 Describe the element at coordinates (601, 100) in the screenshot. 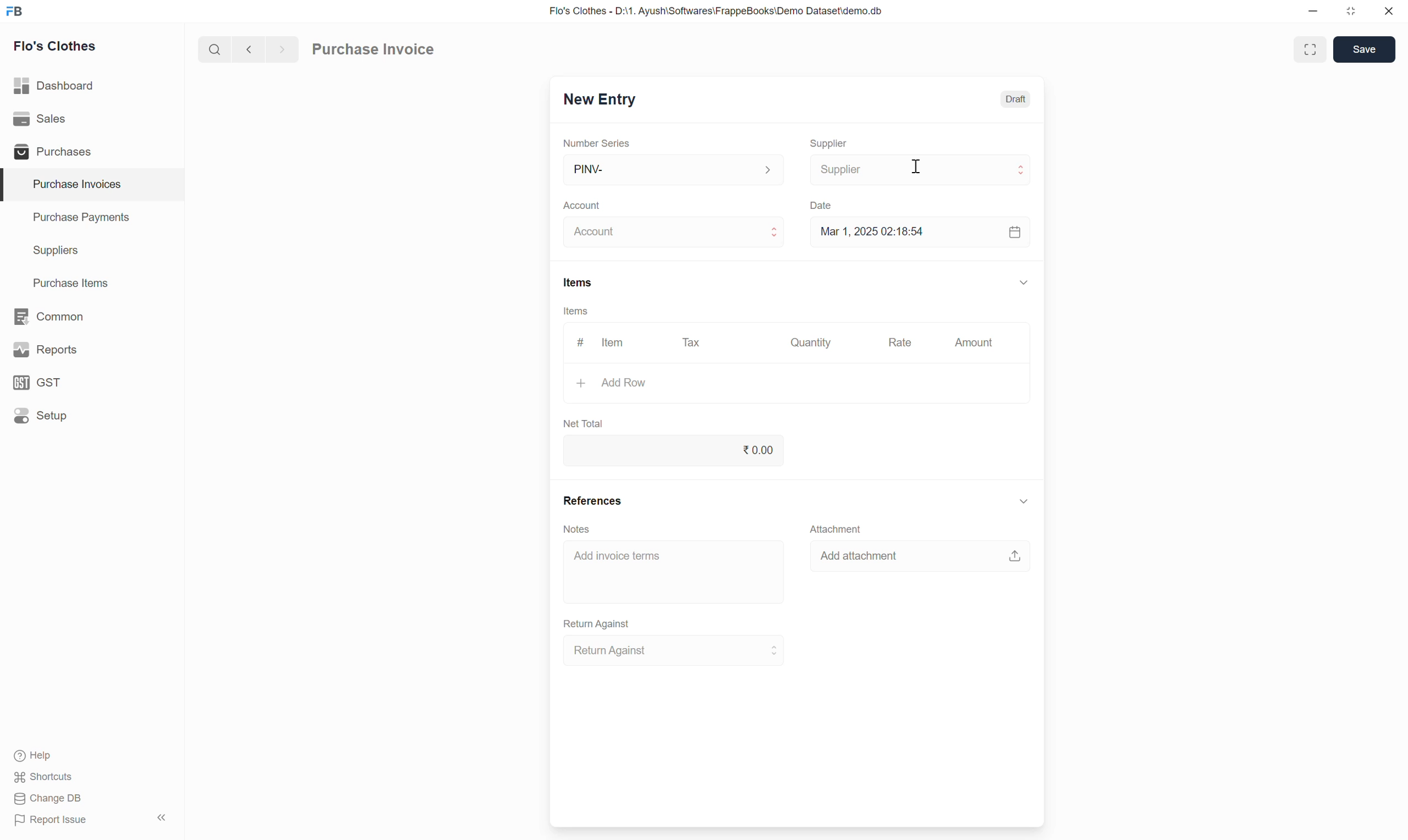

I see `New Entry` at that location.